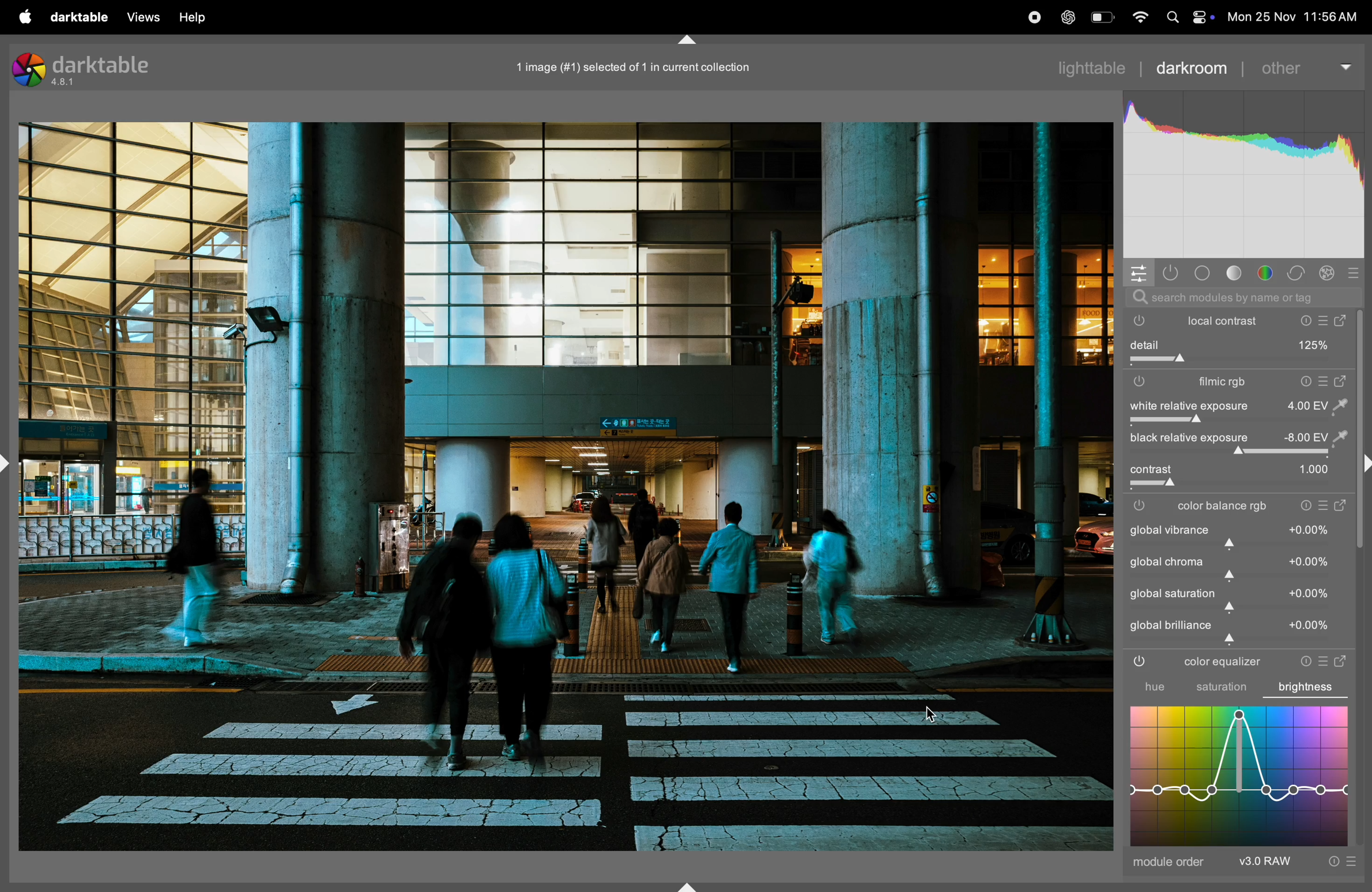 This screenshot has height=892, width=1372. What do you see at coordinates (1324, 381) in the screenshot?
I see `presets` at bounding box center [1324, 381].